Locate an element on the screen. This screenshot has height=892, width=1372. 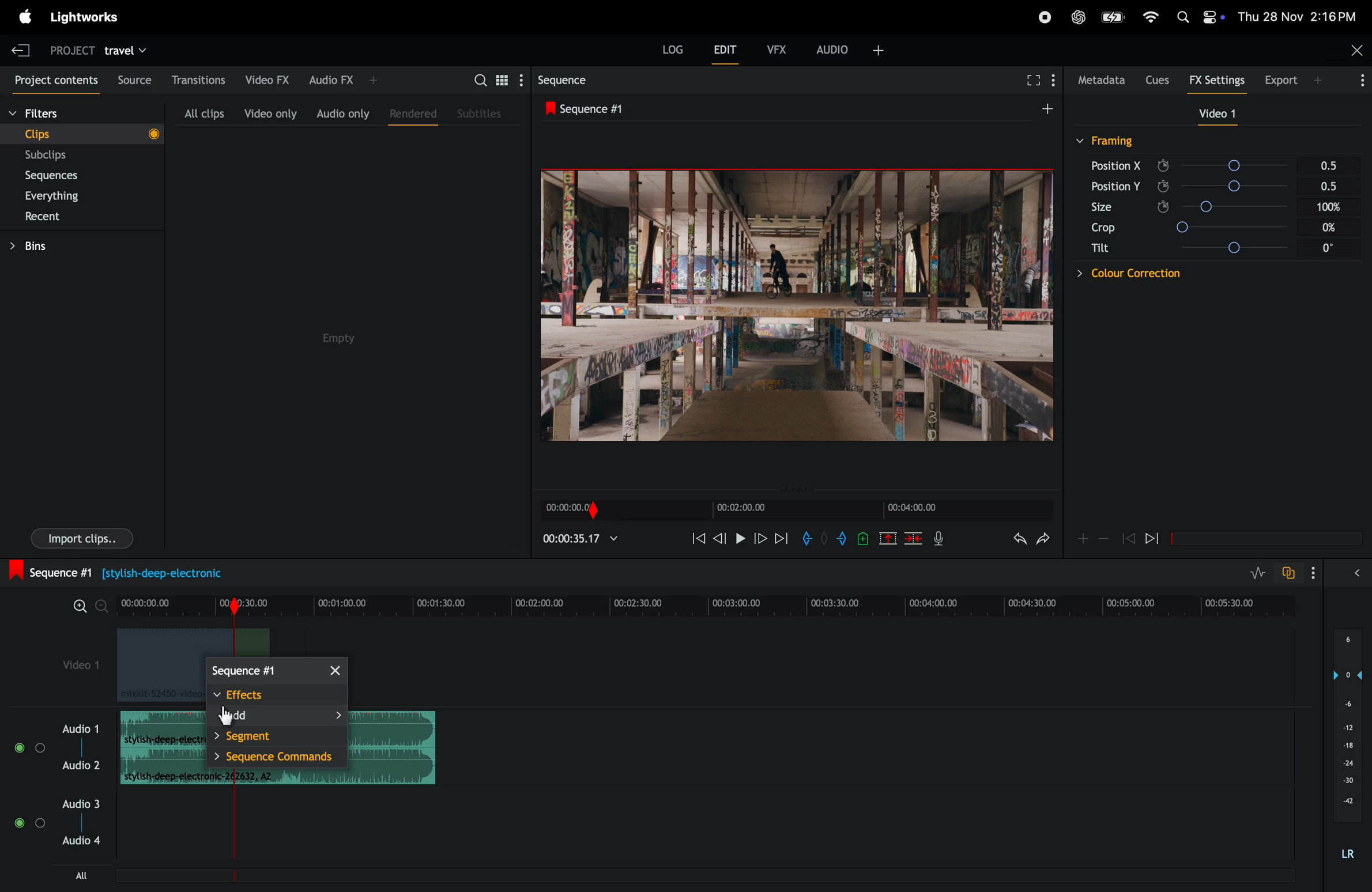
zoom in zoom out is located at coordinates (82, 610).